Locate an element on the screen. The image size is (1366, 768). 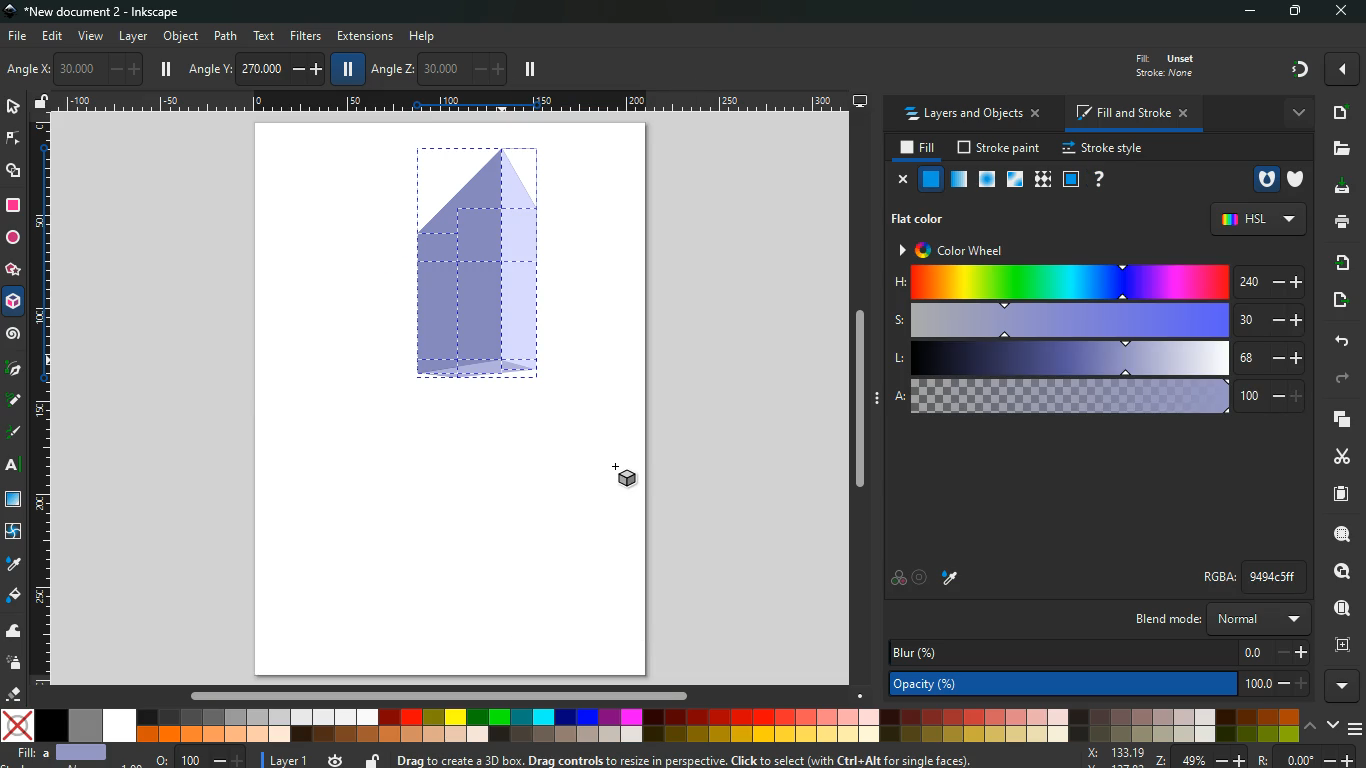
help is located at coordinates (429, 36).